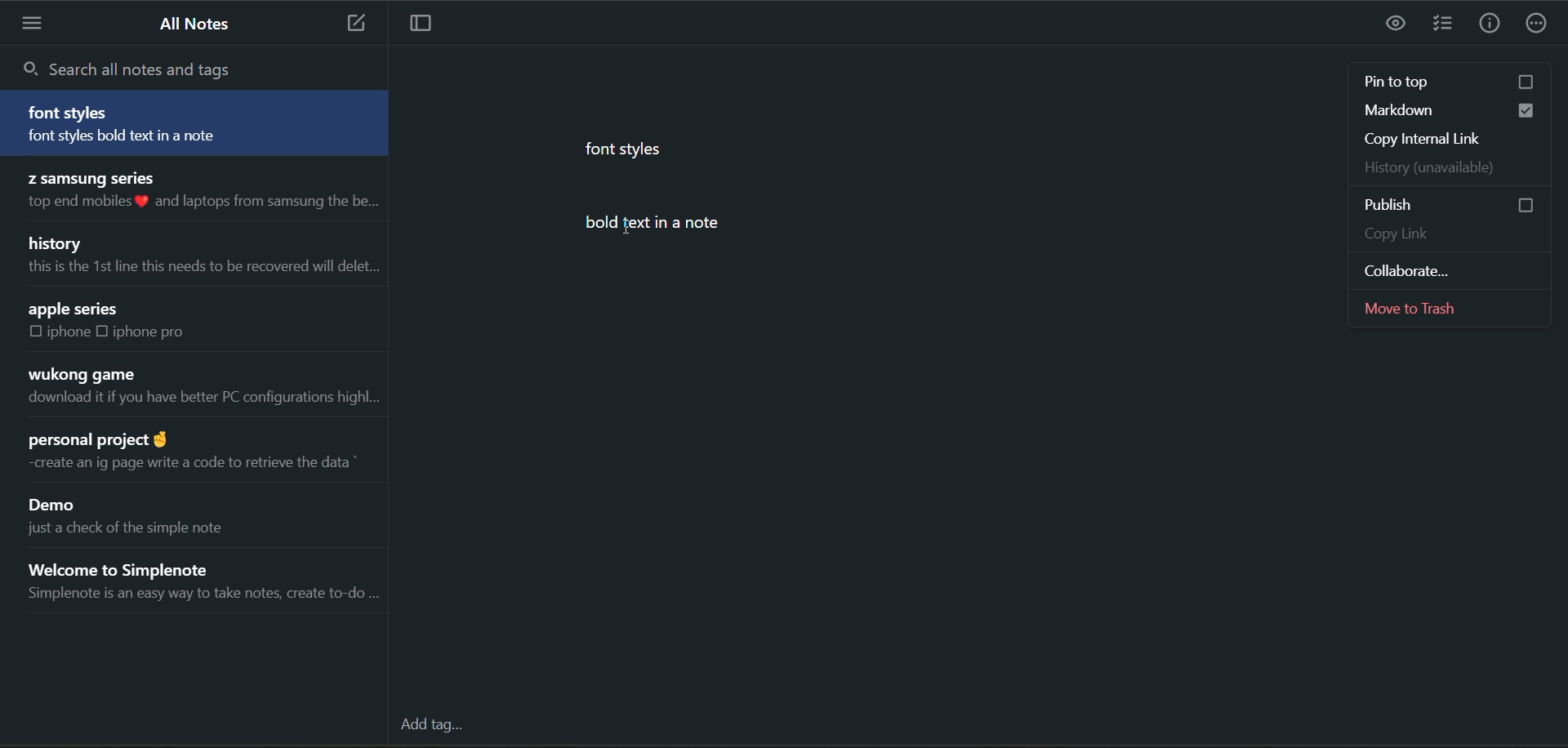 The width and height of the screenshot is (1568, 748). Describe the element at coordinates (150, 332) in the screenshot. I see `iphone pro` at that location.